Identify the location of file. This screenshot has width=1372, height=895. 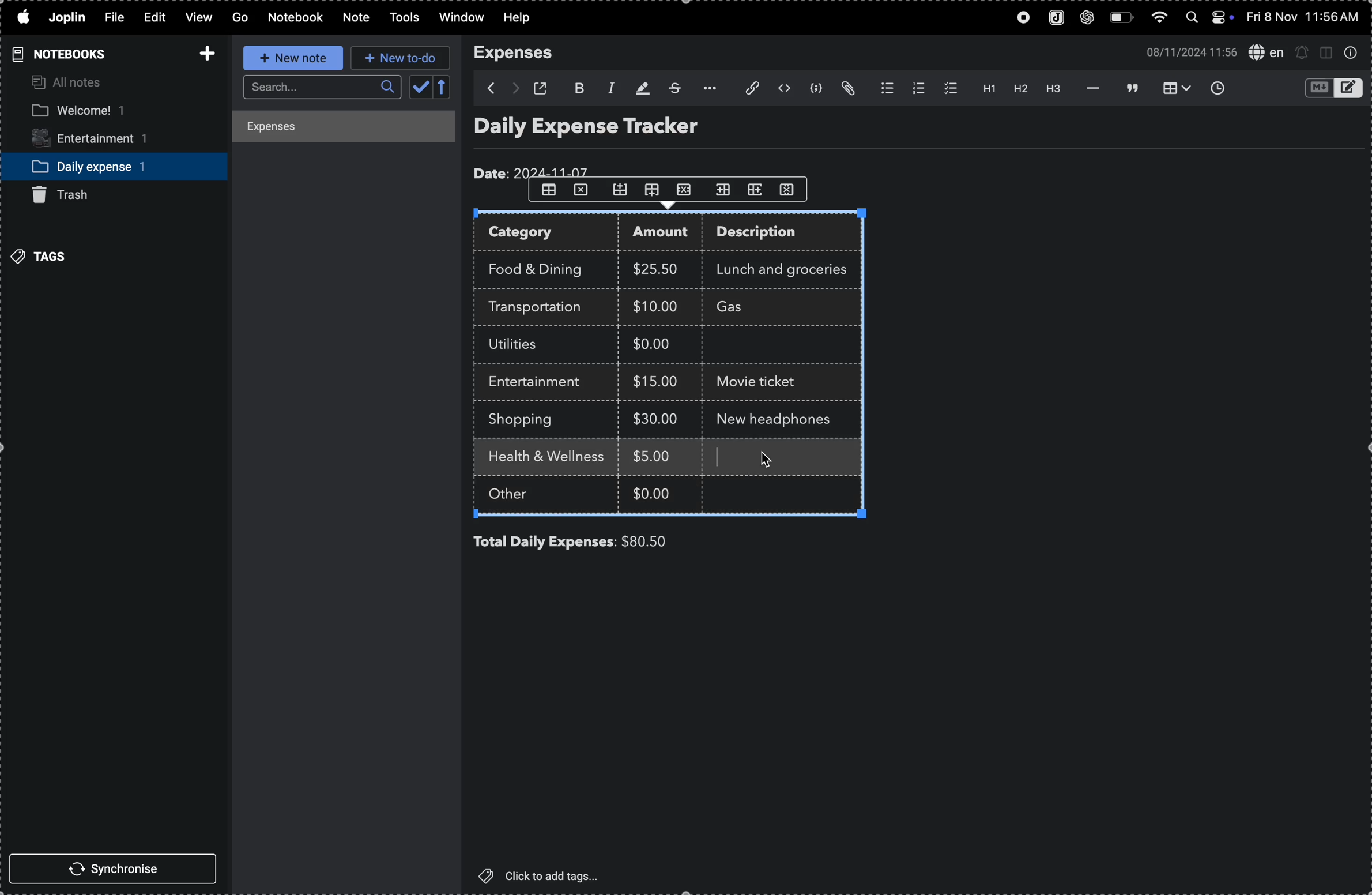
(112, 18).